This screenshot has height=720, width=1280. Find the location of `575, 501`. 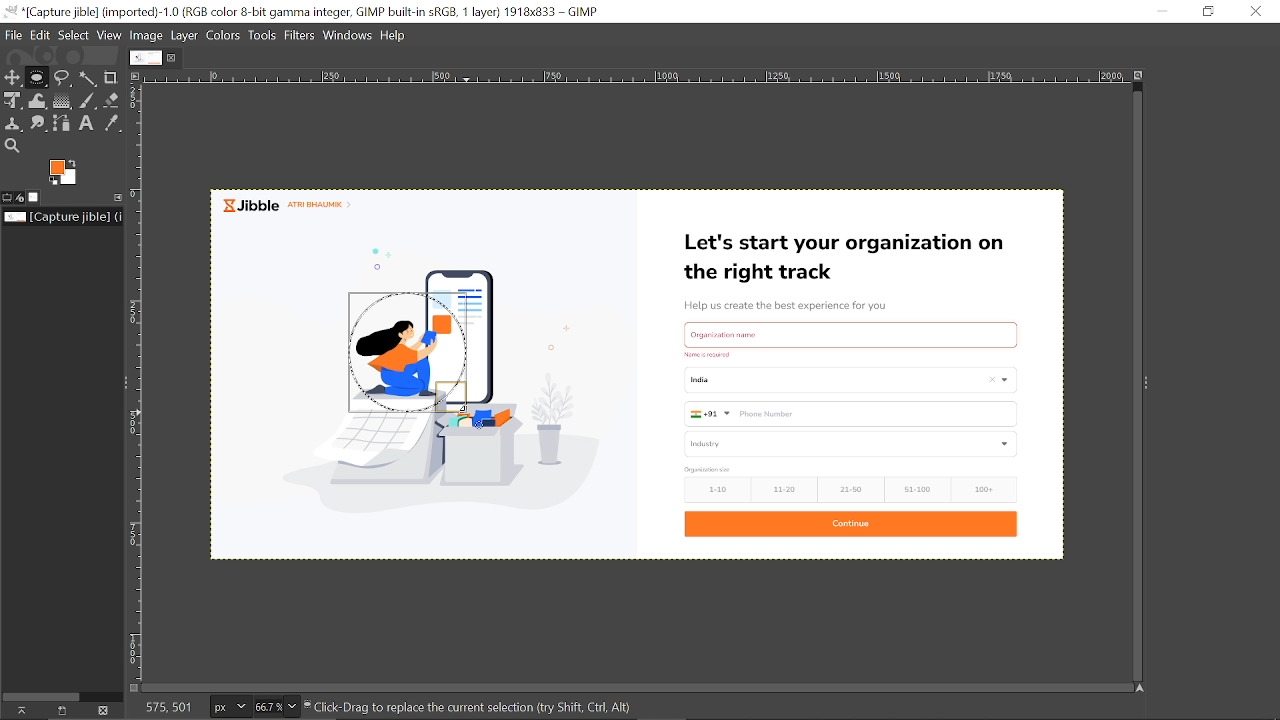

575, 501 is located at coordinates (166, 707).